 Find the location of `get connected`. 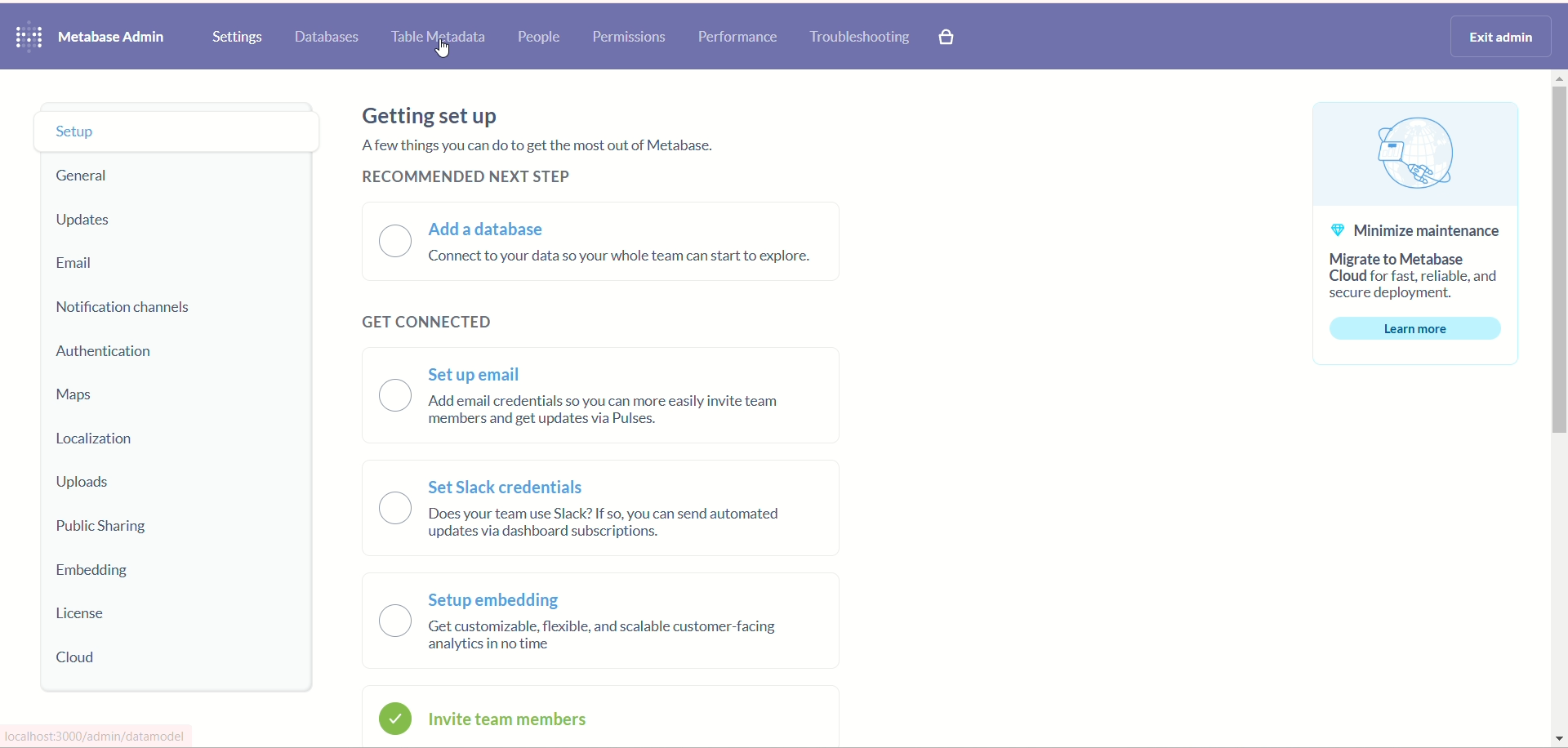

get connected is located at coordinates (421, 328).